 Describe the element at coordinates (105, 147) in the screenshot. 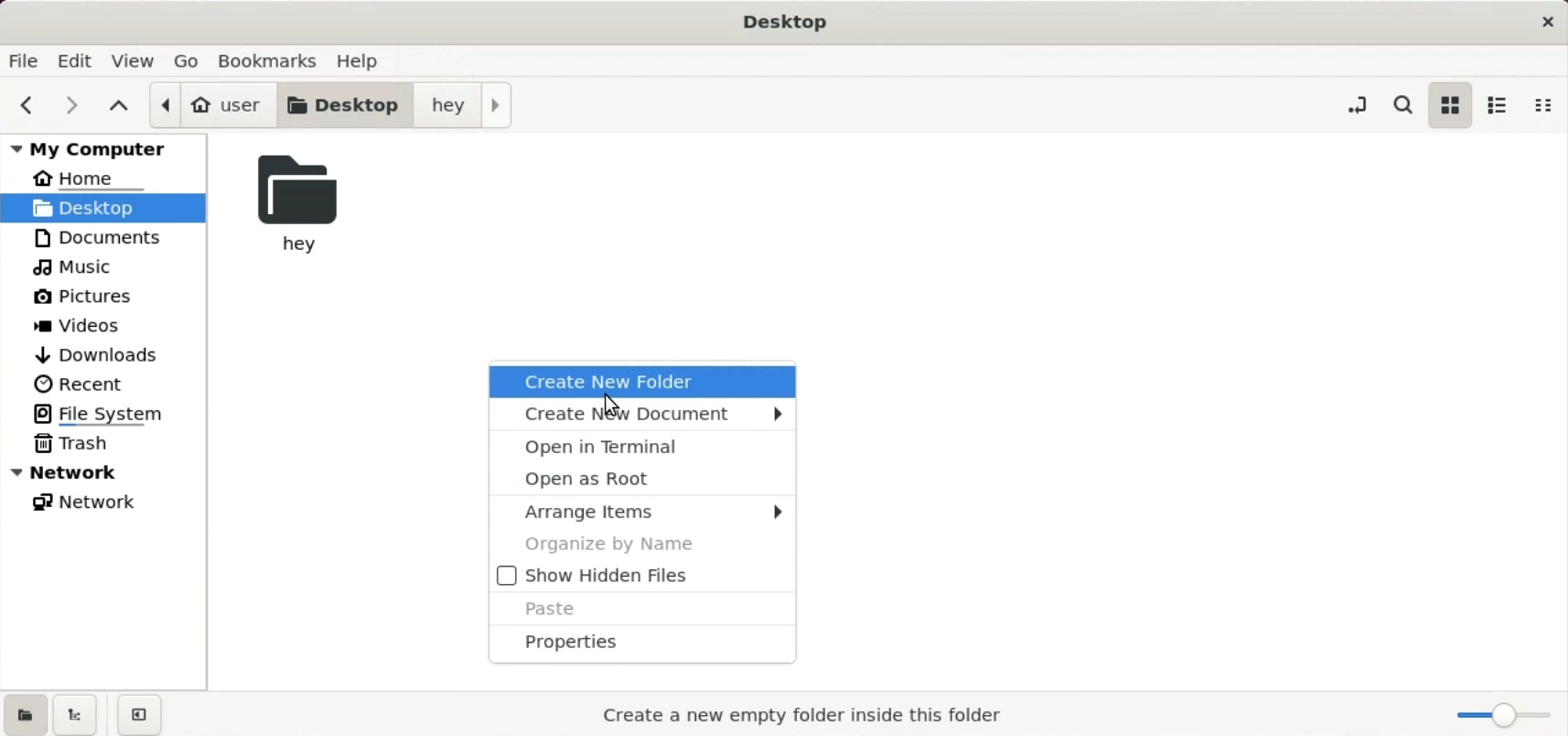

I see `my computer` at that location.